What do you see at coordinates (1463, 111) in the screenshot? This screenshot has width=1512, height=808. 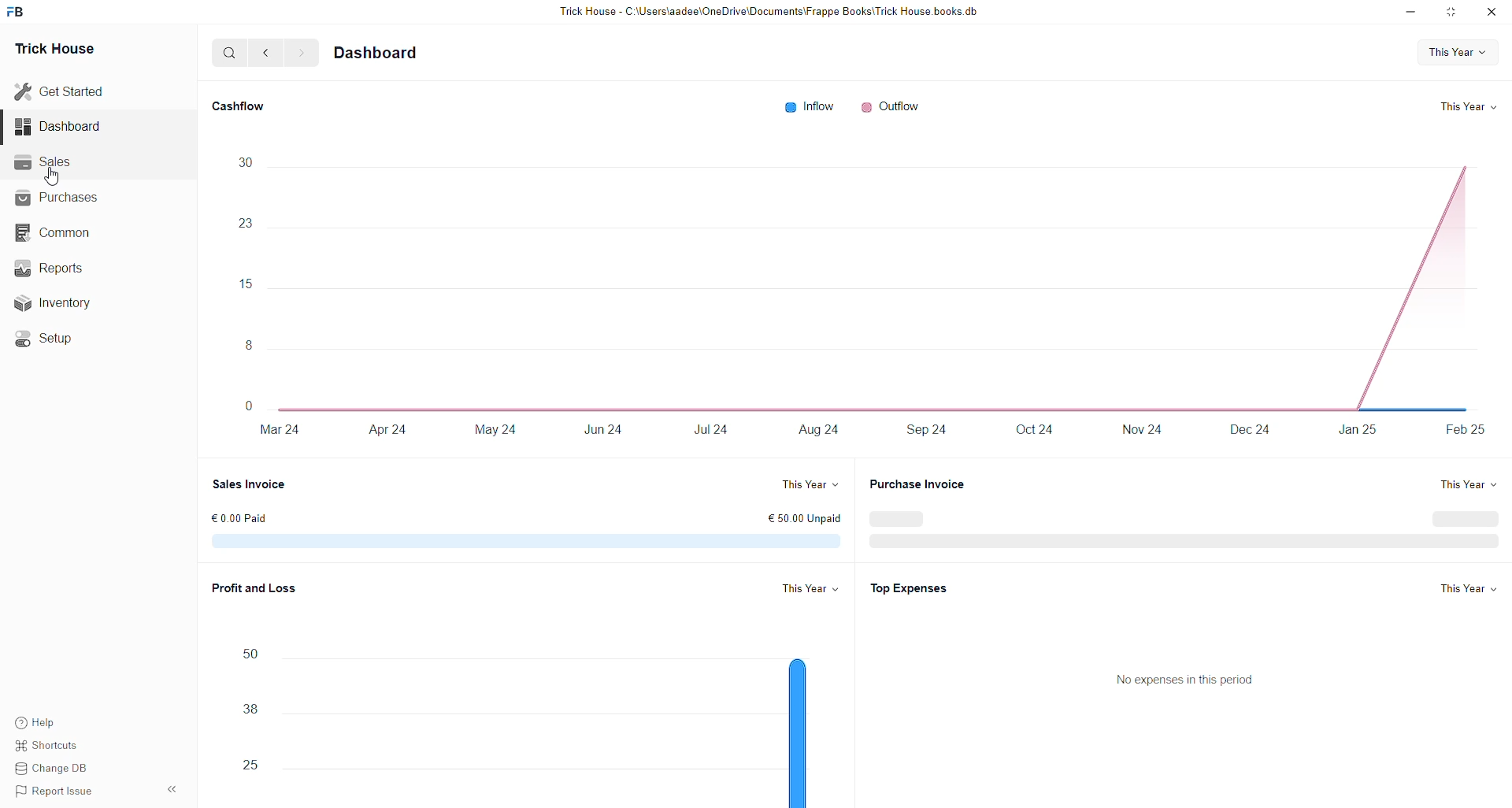 I see `This year` at bounding box center [1463, 111].